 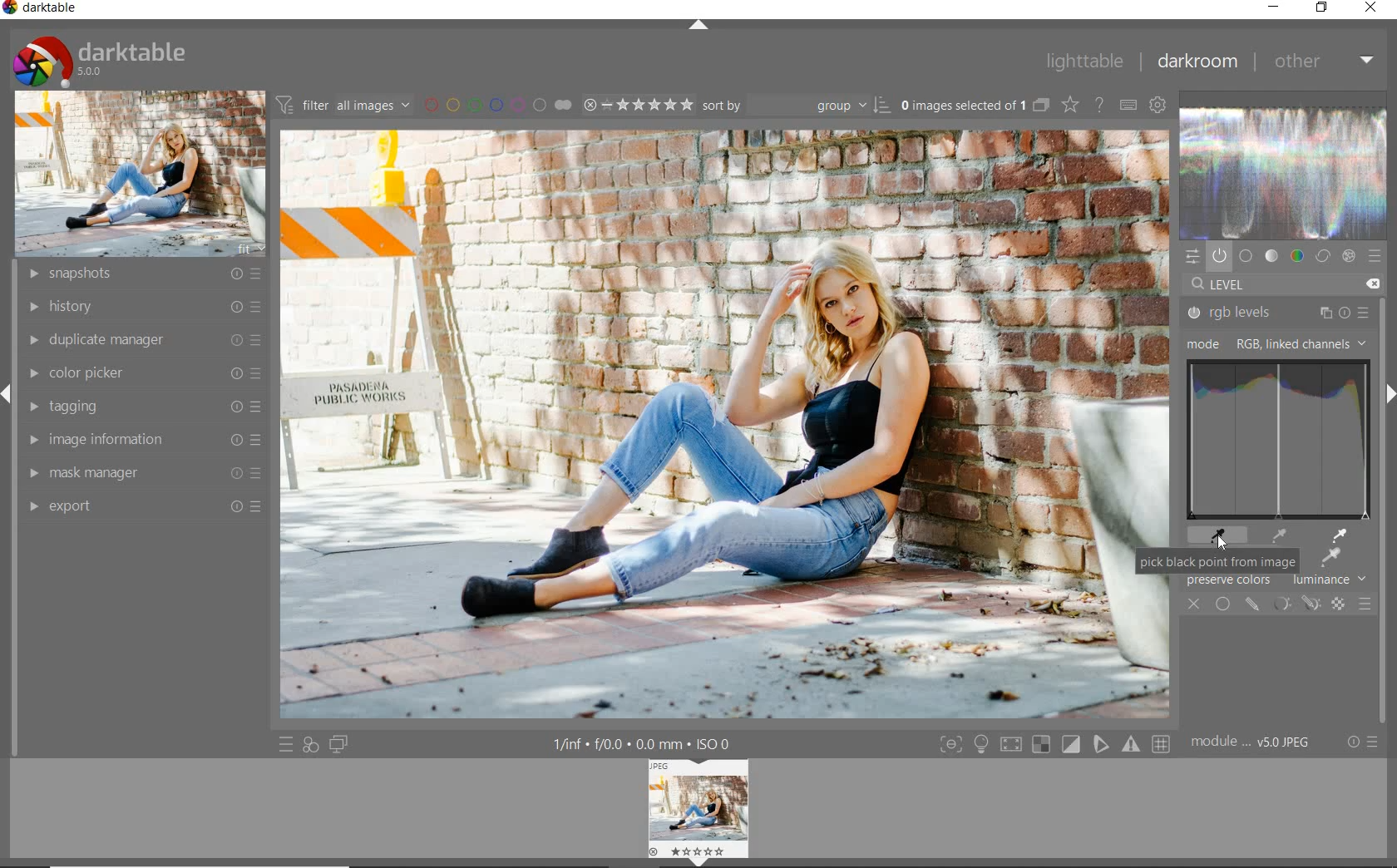 I want to click on scrollbar, so click(x=1383, y=334).